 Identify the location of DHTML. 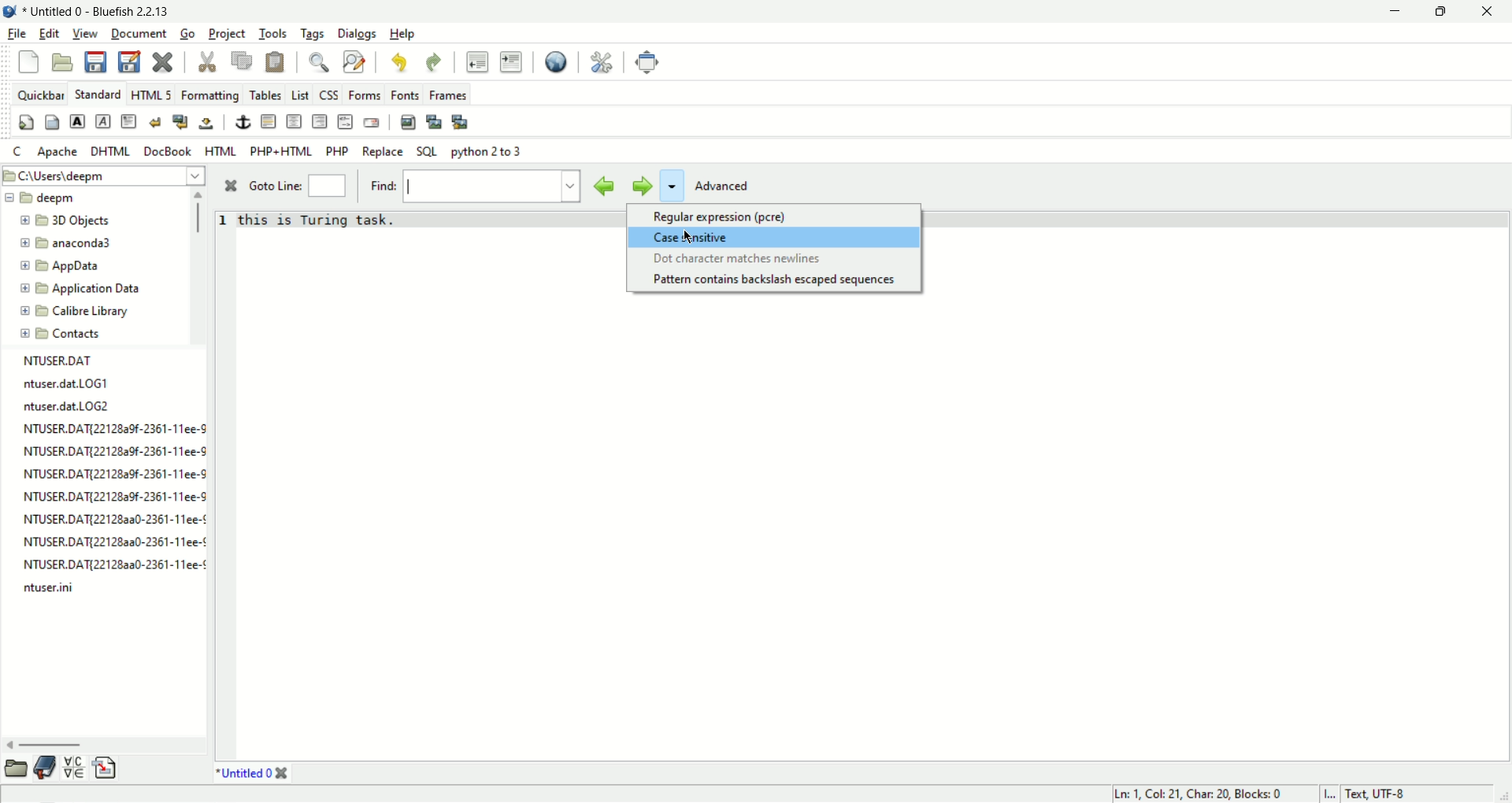
(109, 151).